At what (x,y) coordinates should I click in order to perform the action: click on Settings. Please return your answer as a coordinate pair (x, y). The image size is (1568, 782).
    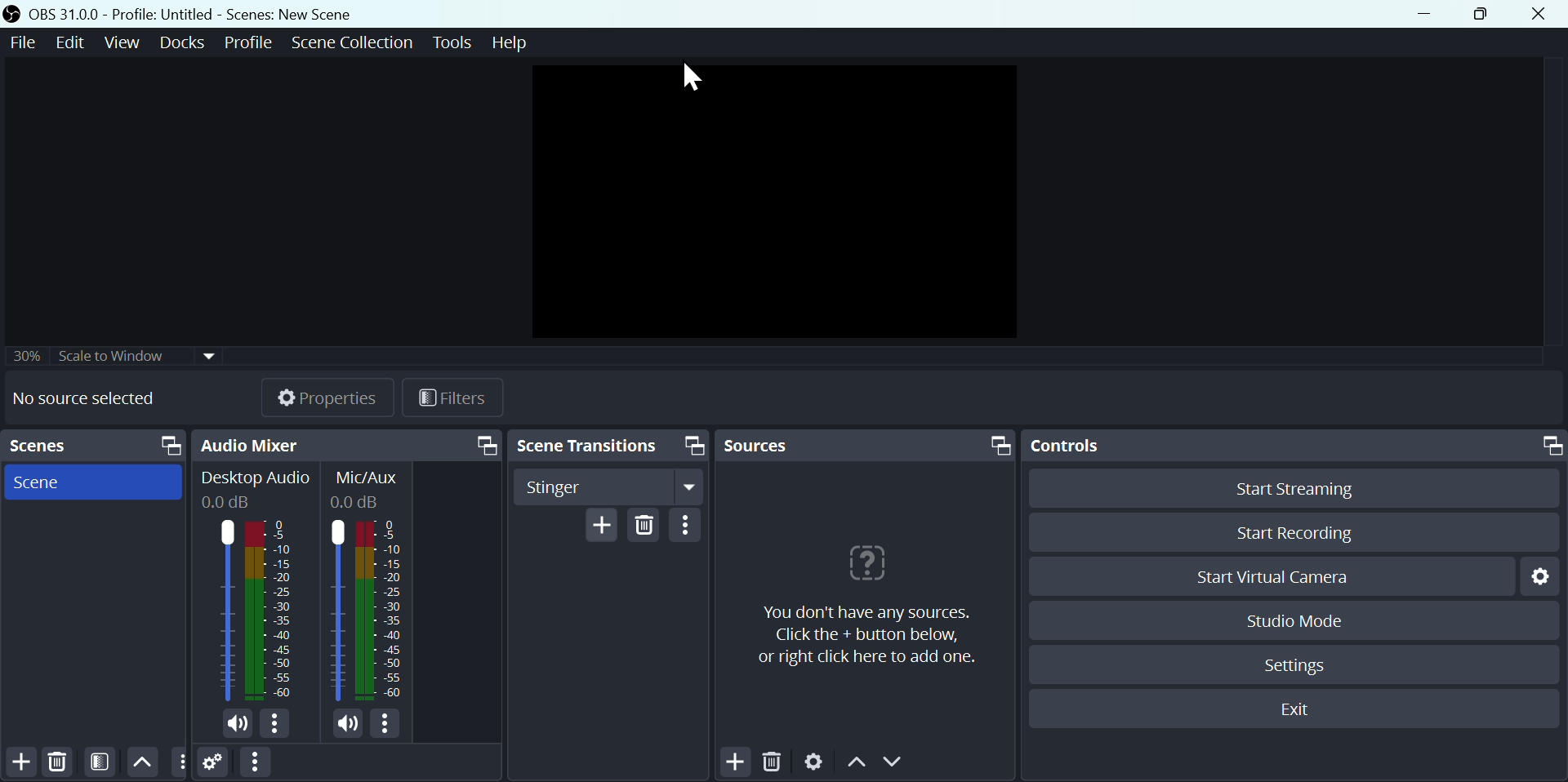
    Looking at the image, I should click on (1539, 575).